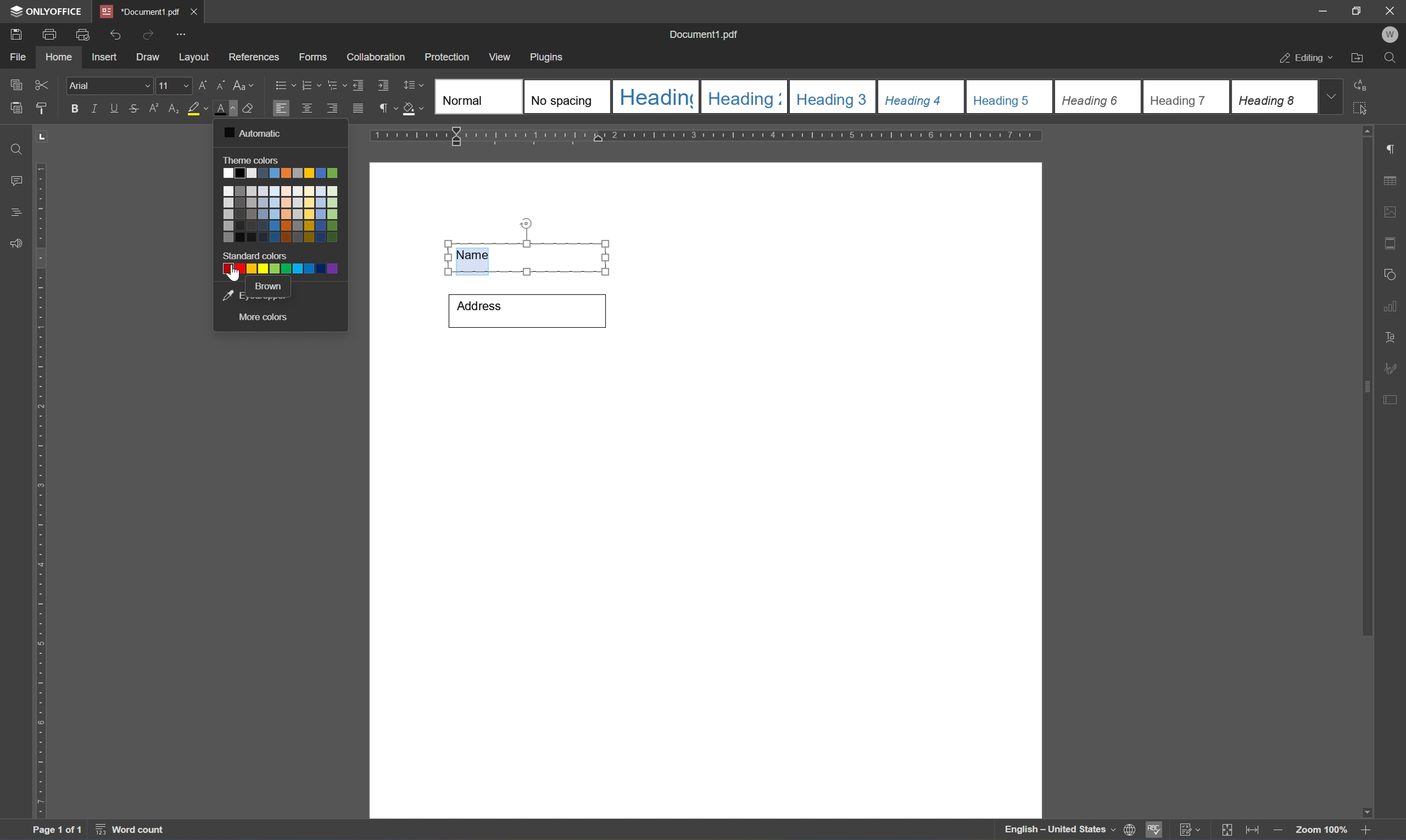 Image resolution: width=1406 pixels, height=840 pixels. What do you see at coordinates (15, 84) in the screenshot?
I see `copy` at bounding box center [15, 84].